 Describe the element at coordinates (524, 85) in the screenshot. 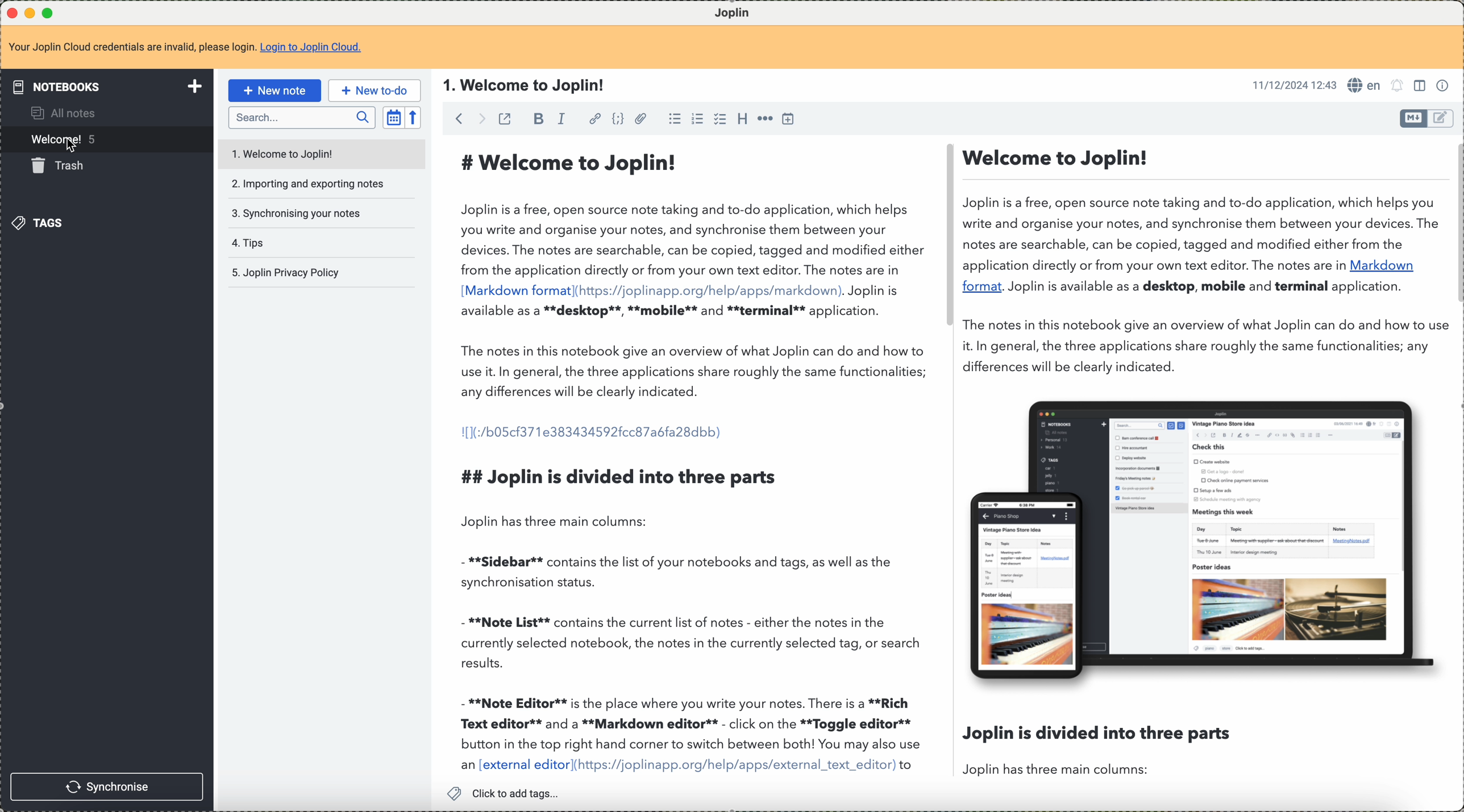

I see `1. Welcome to joplin!` at that location.